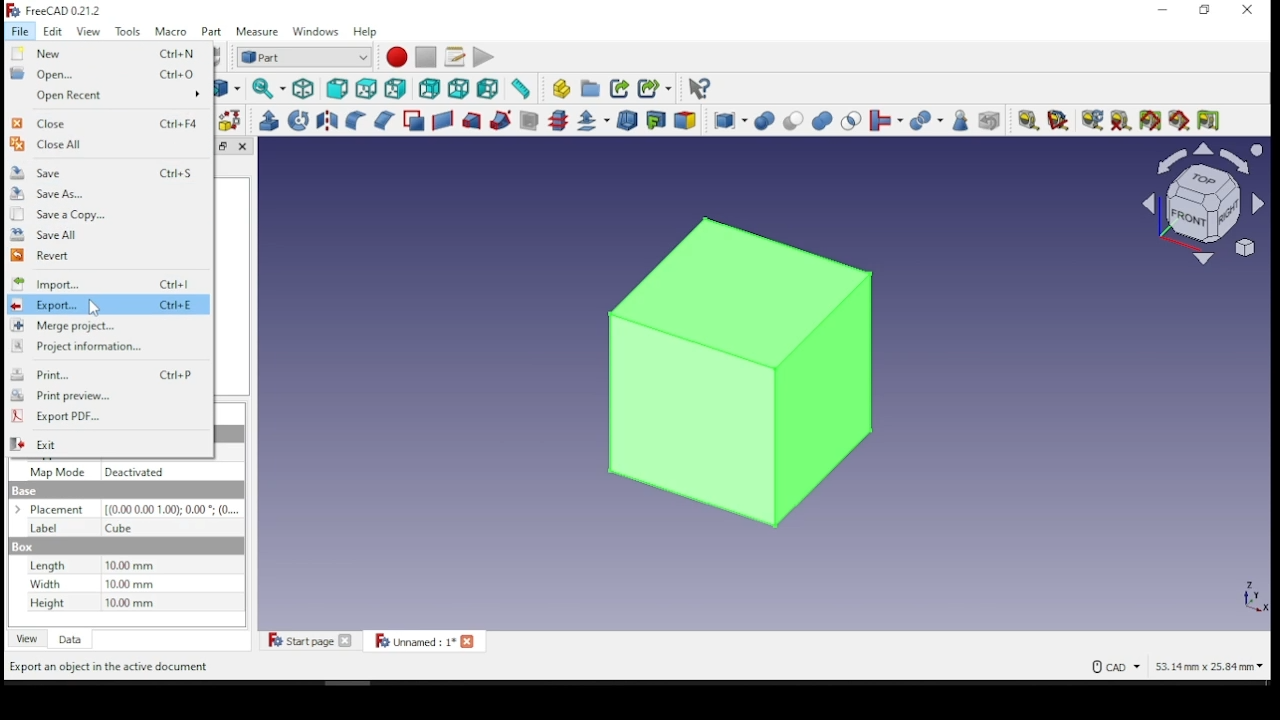  What do you see at coordinates (223, 148) in the screenshot?
I see `Window` at bounding box center [223, 148].